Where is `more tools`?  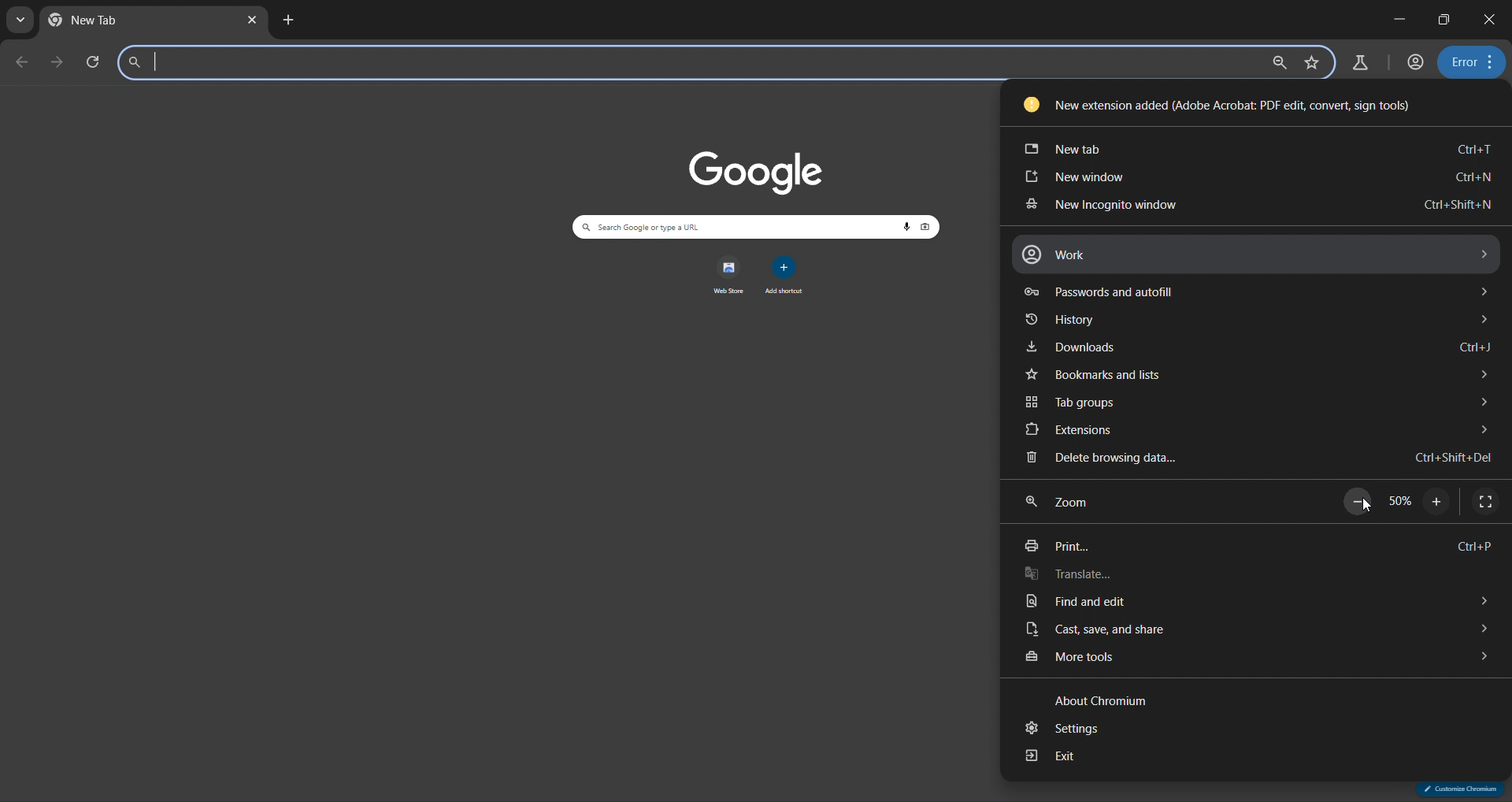 more tools is located at coordinates (1258, 658).